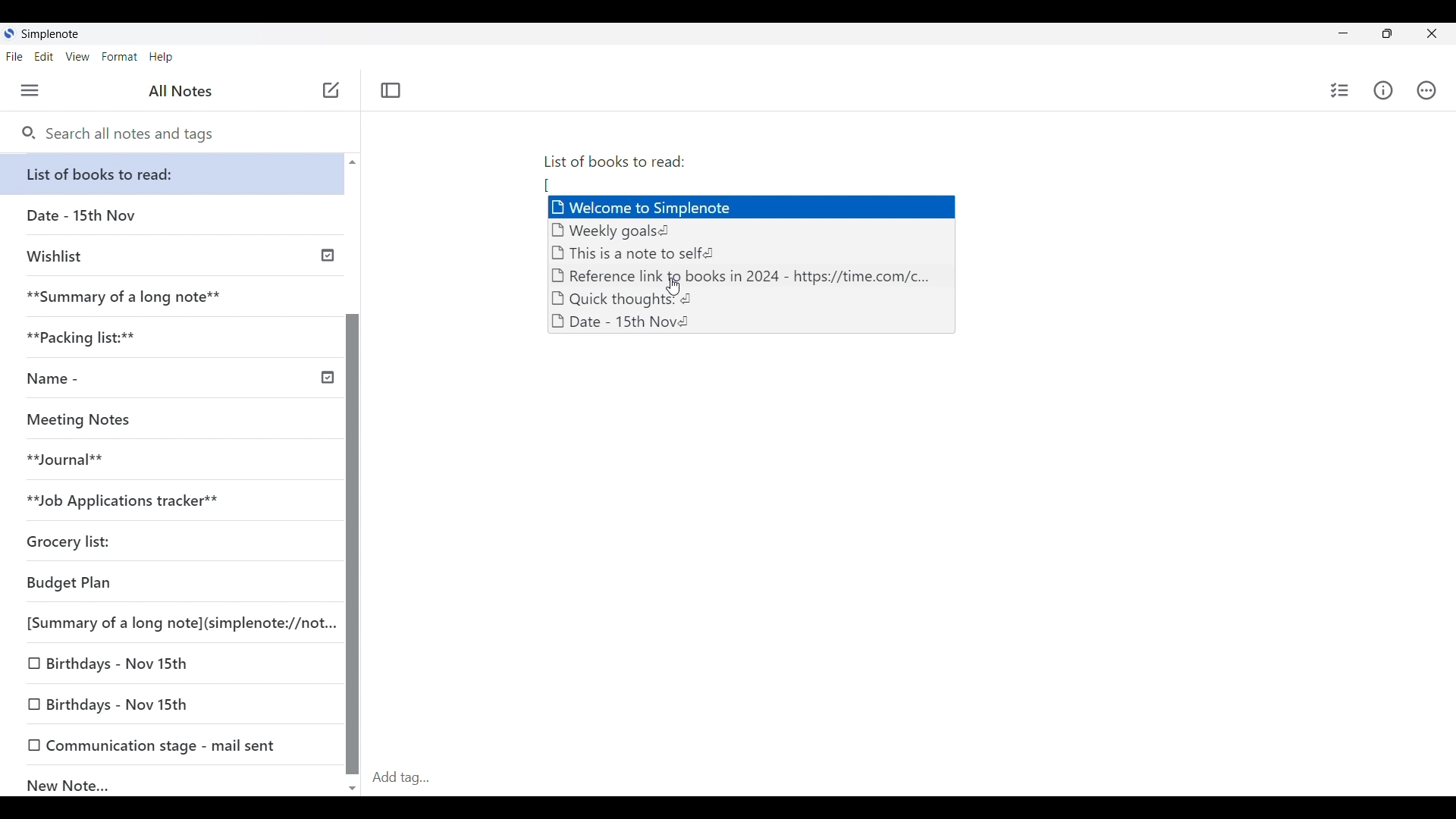 This screenshot has height=819, width=1456. What do you see at coordinates (620, 230) in the screenshot?
I see `Weekly goals` at bounding box center [620, 230].